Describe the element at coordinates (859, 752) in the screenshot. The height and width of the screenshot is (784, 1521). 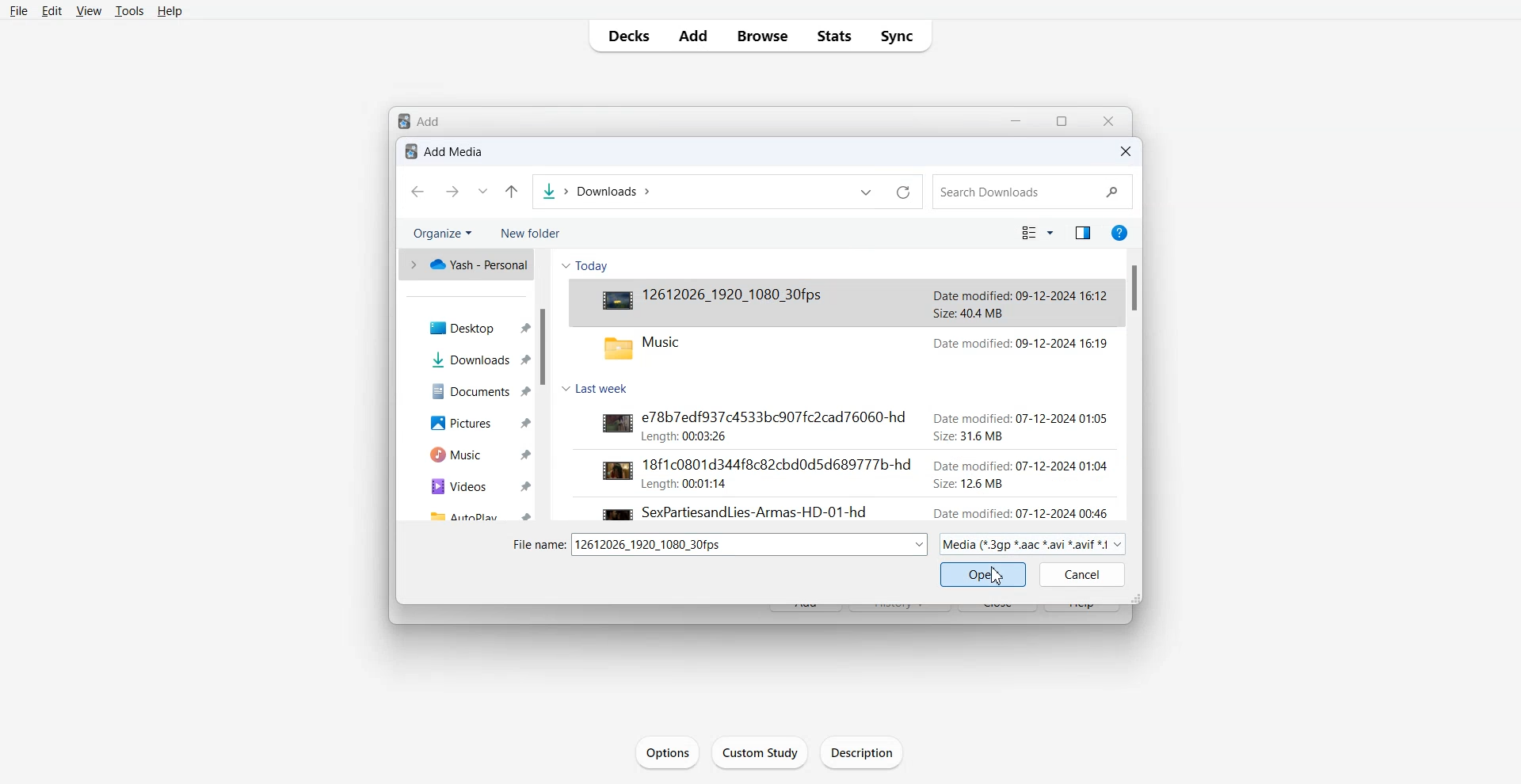
I see `Description` at that location.